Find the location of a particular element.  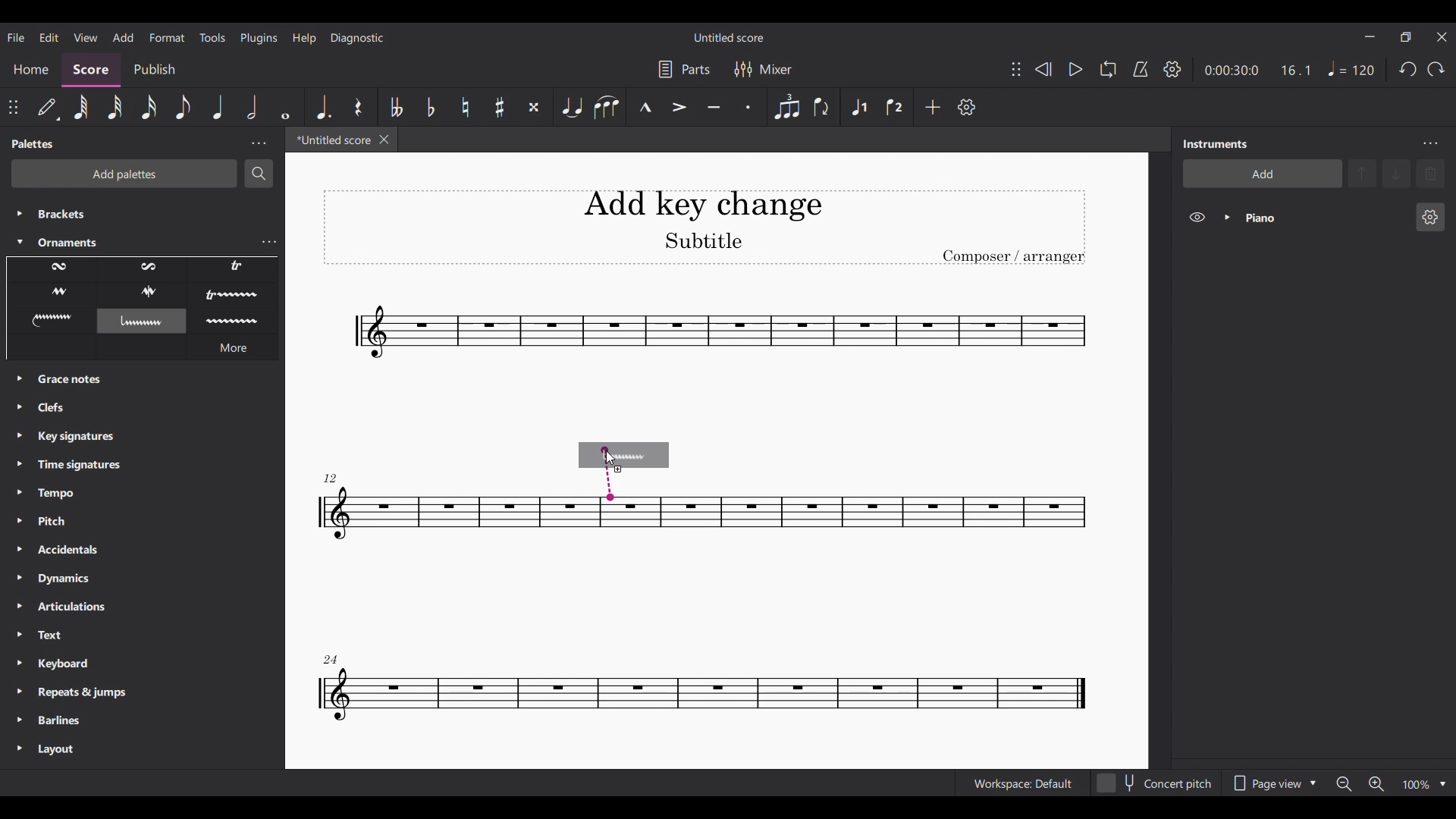

Zoom options is located at coordinates (1443, 784).